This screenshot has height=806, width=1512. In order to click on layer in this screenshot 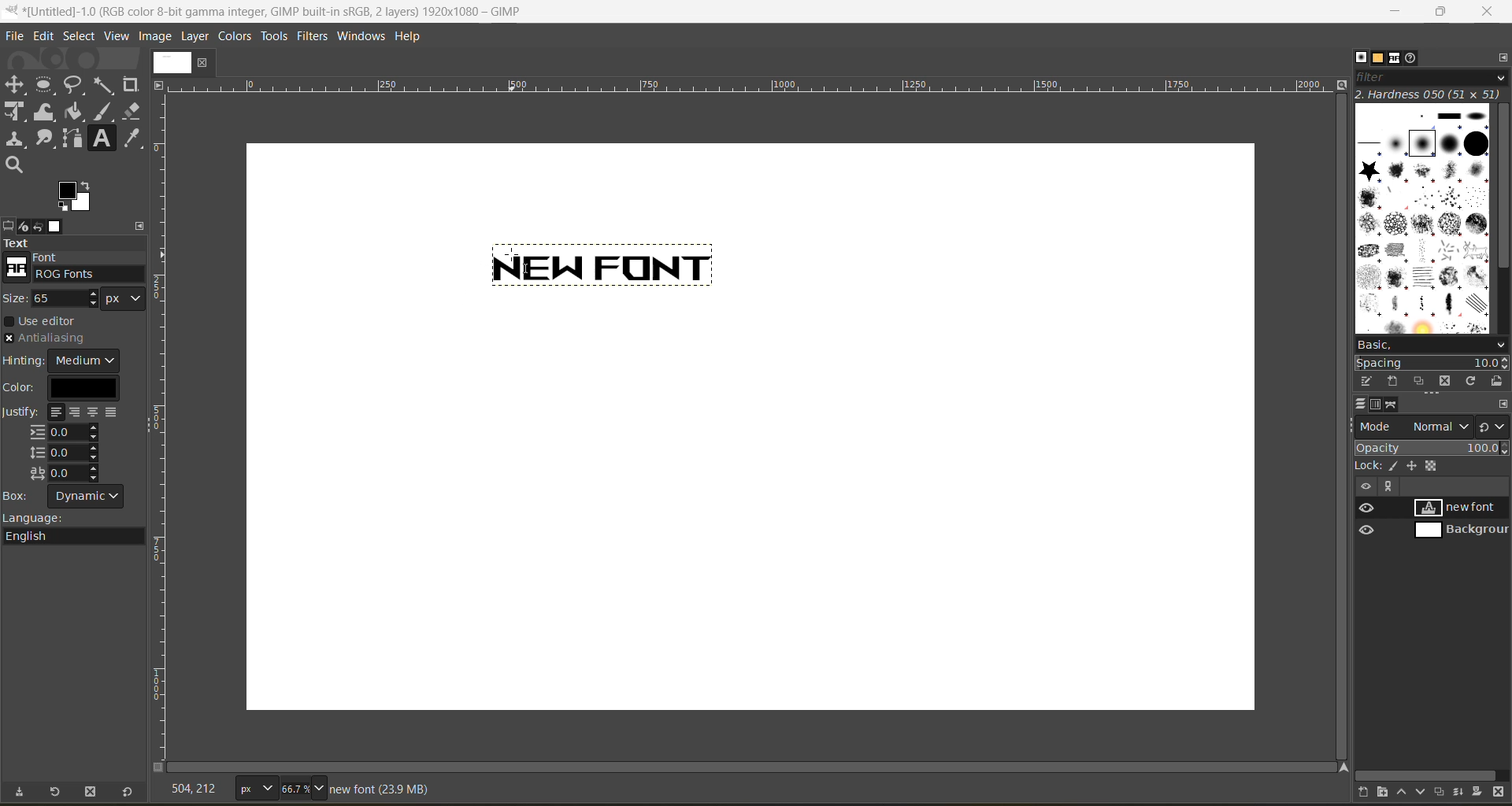, I will do `click(197, 38)`.